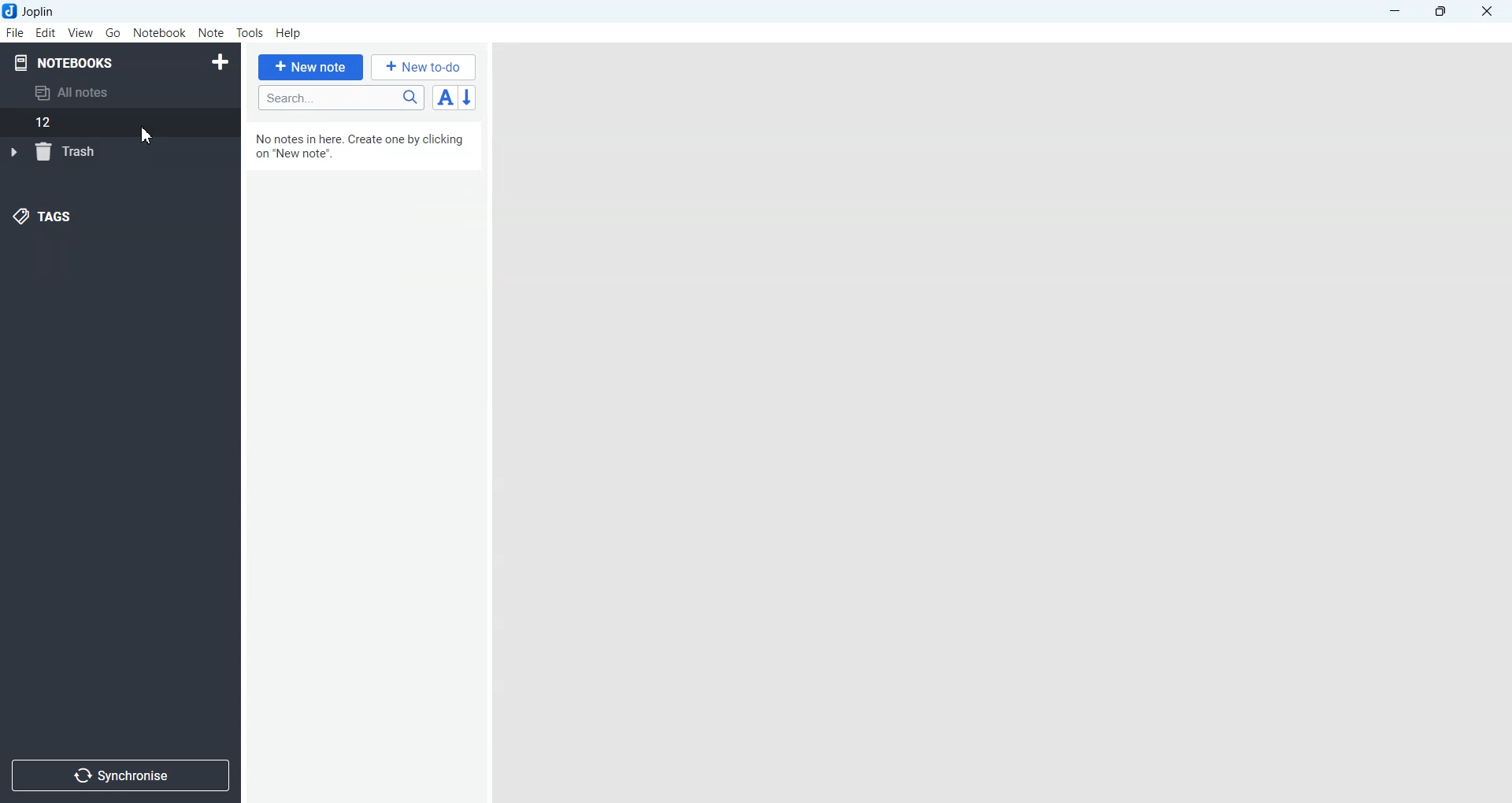  I want to click on Search bar, so click(341, 98).